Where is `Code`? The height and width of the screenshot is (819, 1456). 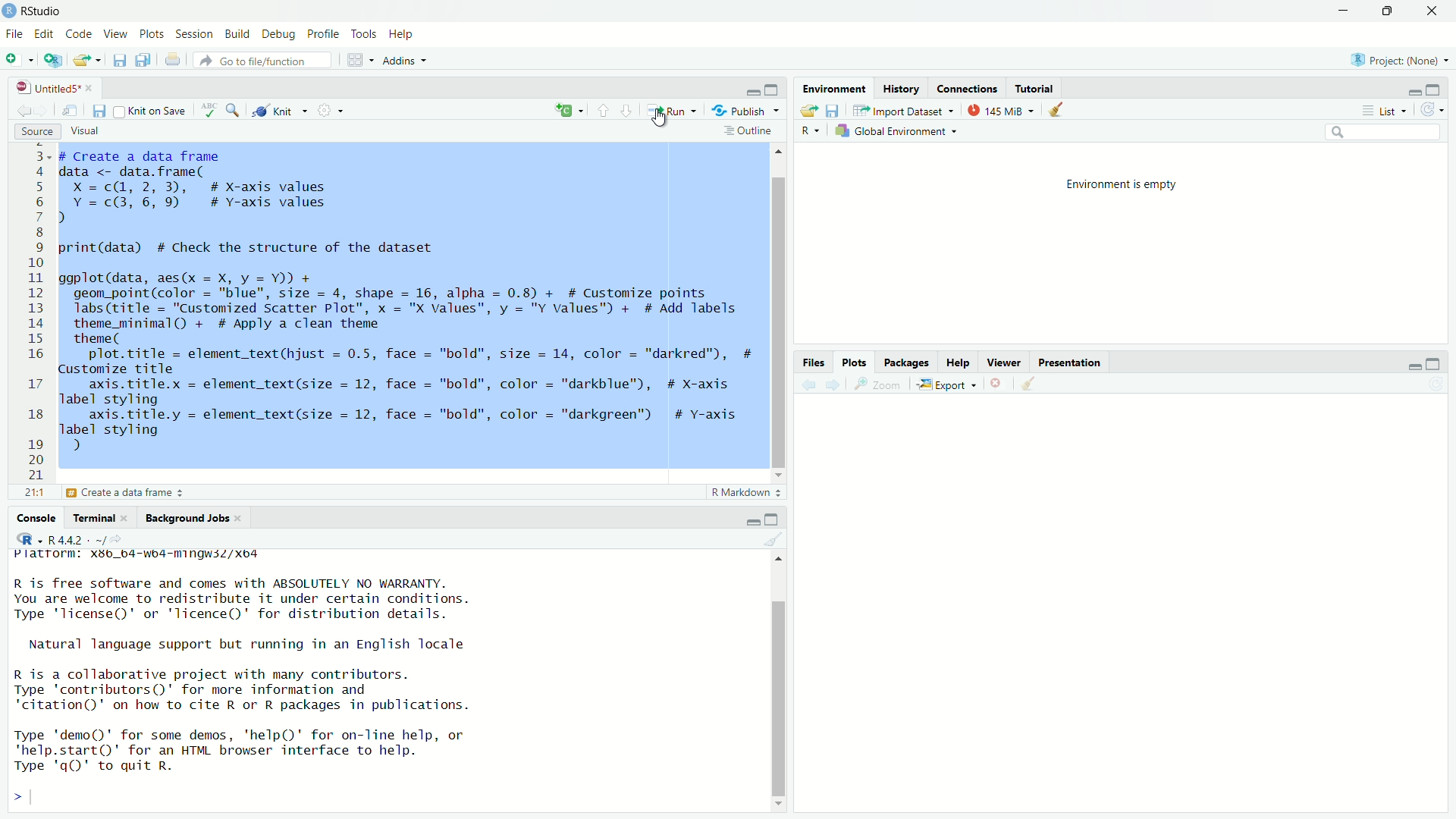 Code is located at coordinates (78, 35).